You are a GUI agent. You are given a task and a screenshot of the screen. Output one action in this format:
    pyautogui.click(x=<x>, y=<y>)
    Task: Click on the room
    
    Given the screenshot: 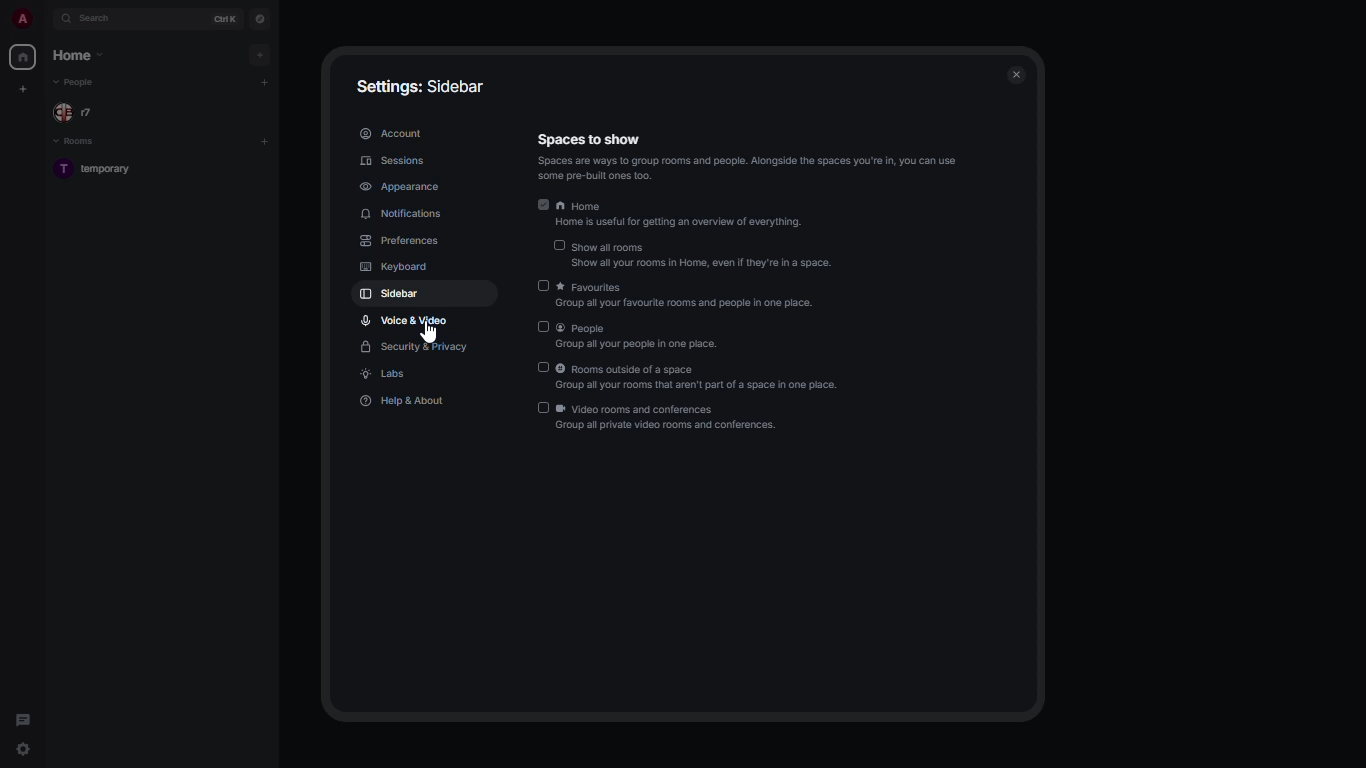 What is the action you would take?
    pyautogui.click(x=102, y=172)
    